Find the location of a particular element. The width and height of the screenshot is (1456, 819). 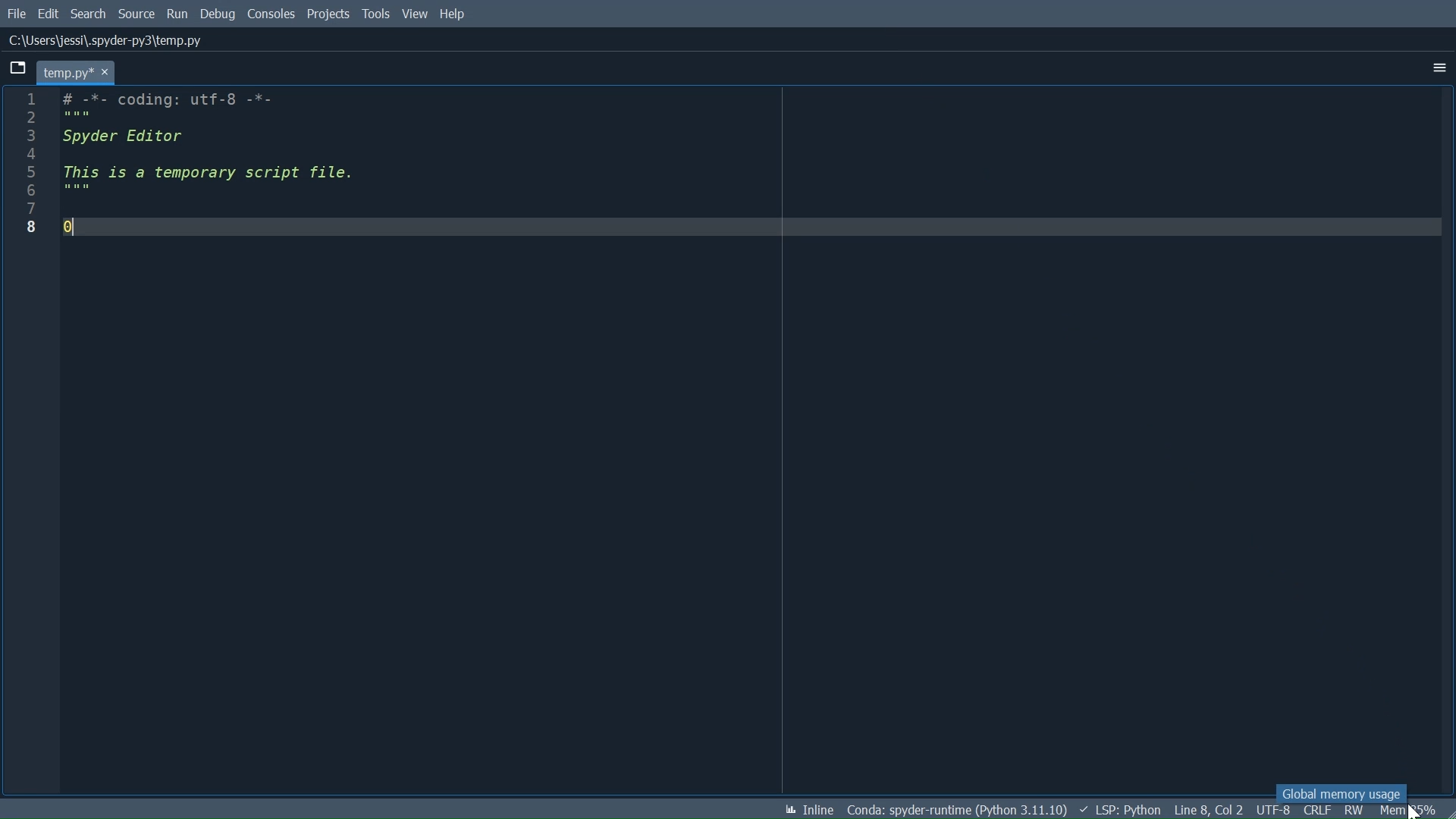

Memory Usage is located at coordinates (1405, 811).